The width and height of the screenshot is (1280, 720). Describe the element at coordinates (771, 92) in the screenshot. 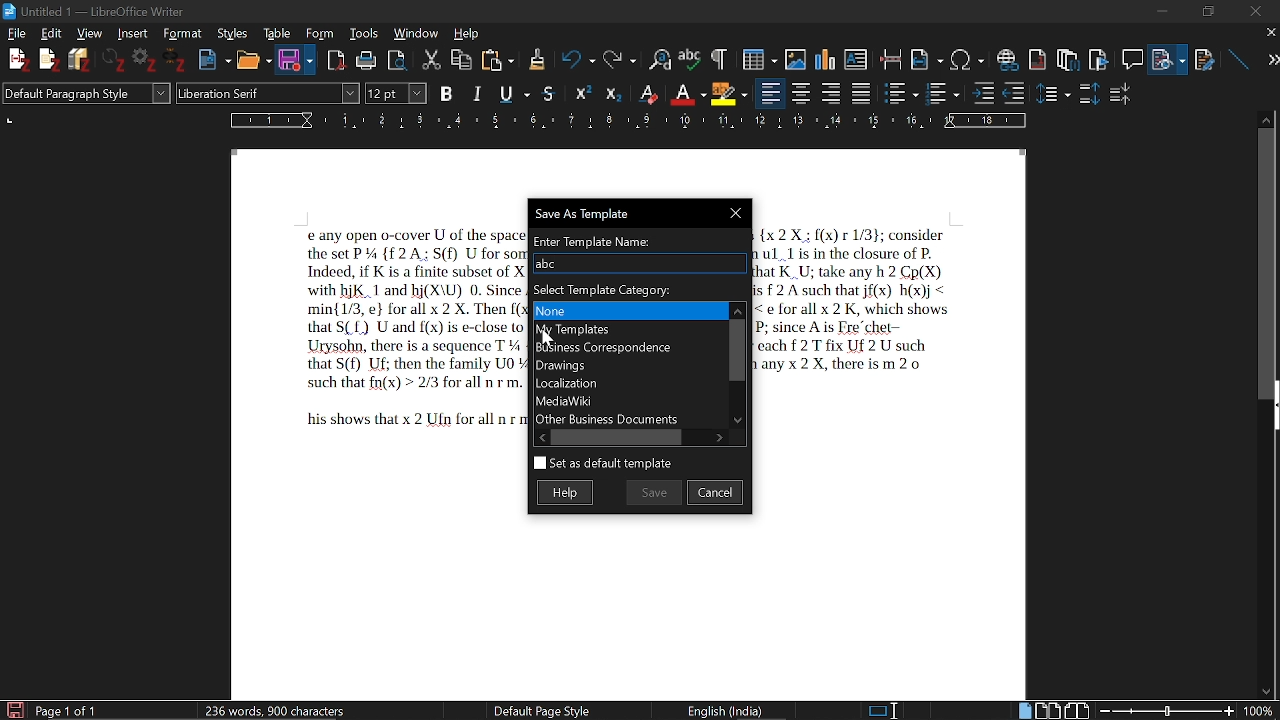

I see `align left` at that location.